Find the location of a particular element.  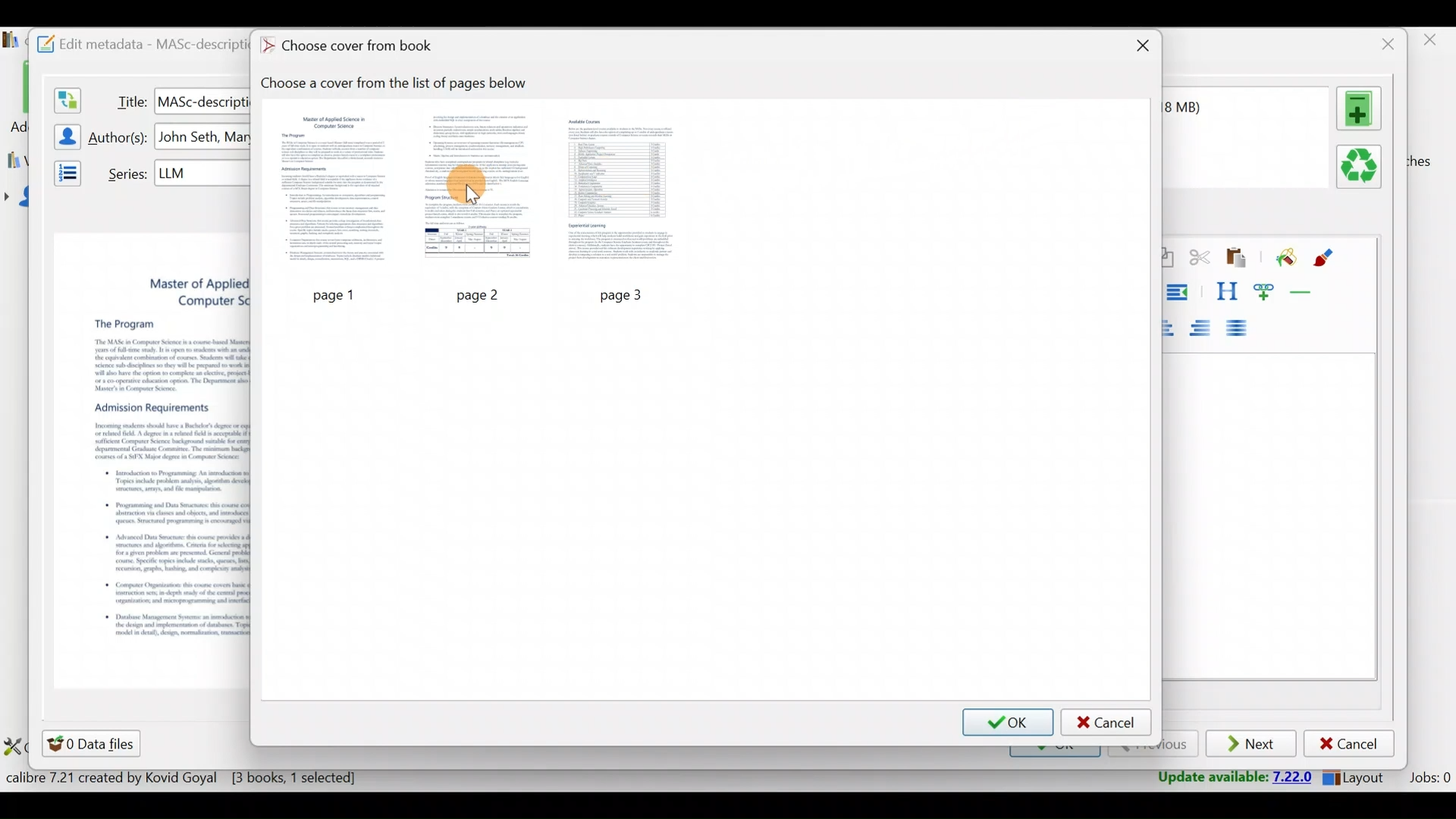

Insert separator is located at coordinates (1306, 292).